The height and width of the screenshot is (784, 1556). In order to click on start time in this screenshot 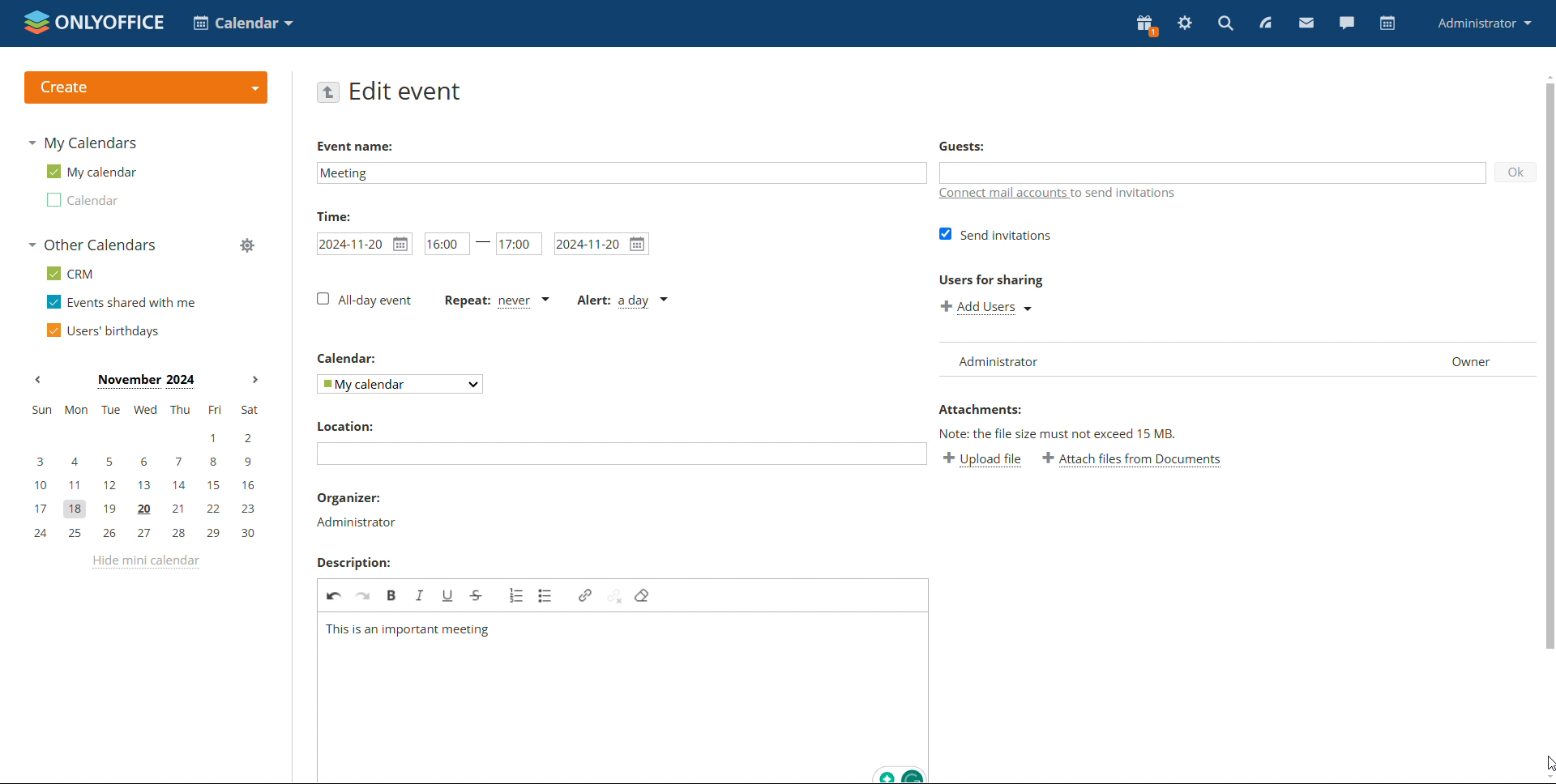, I will do `click(447, 245)`.